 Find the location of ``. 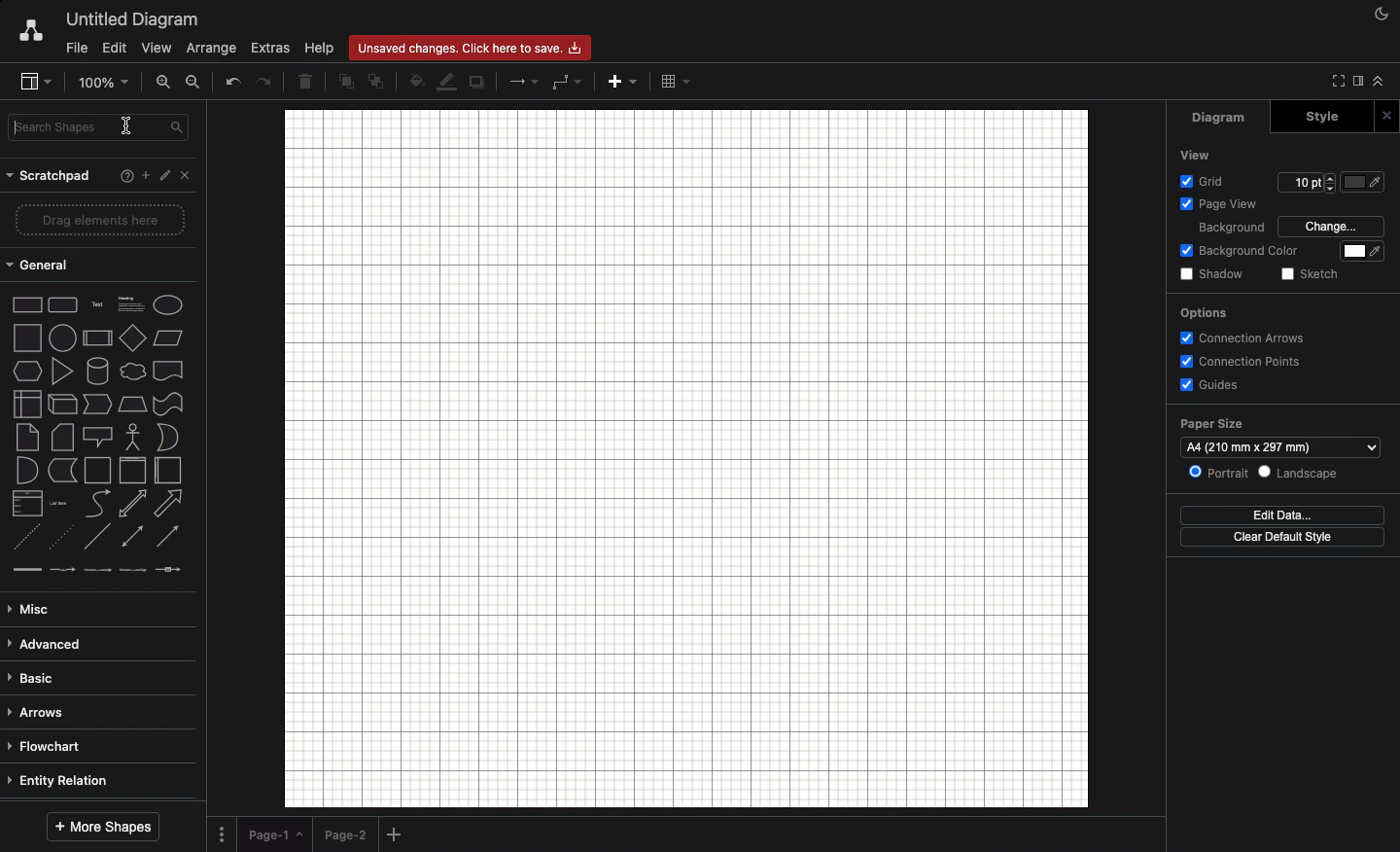

 is located at coordinates (1366, 182).